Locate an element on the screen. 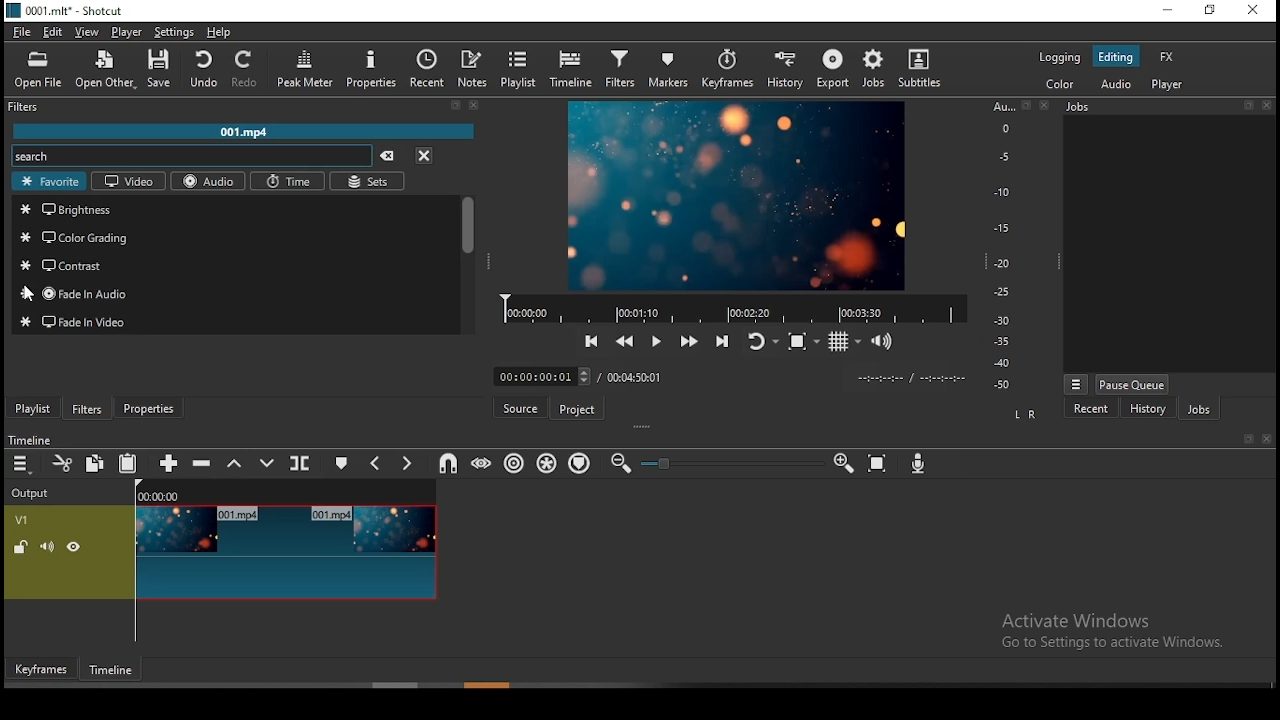 This screenshot has width=1280, height=720. add source to playlist is located at coordinates (61, 380).